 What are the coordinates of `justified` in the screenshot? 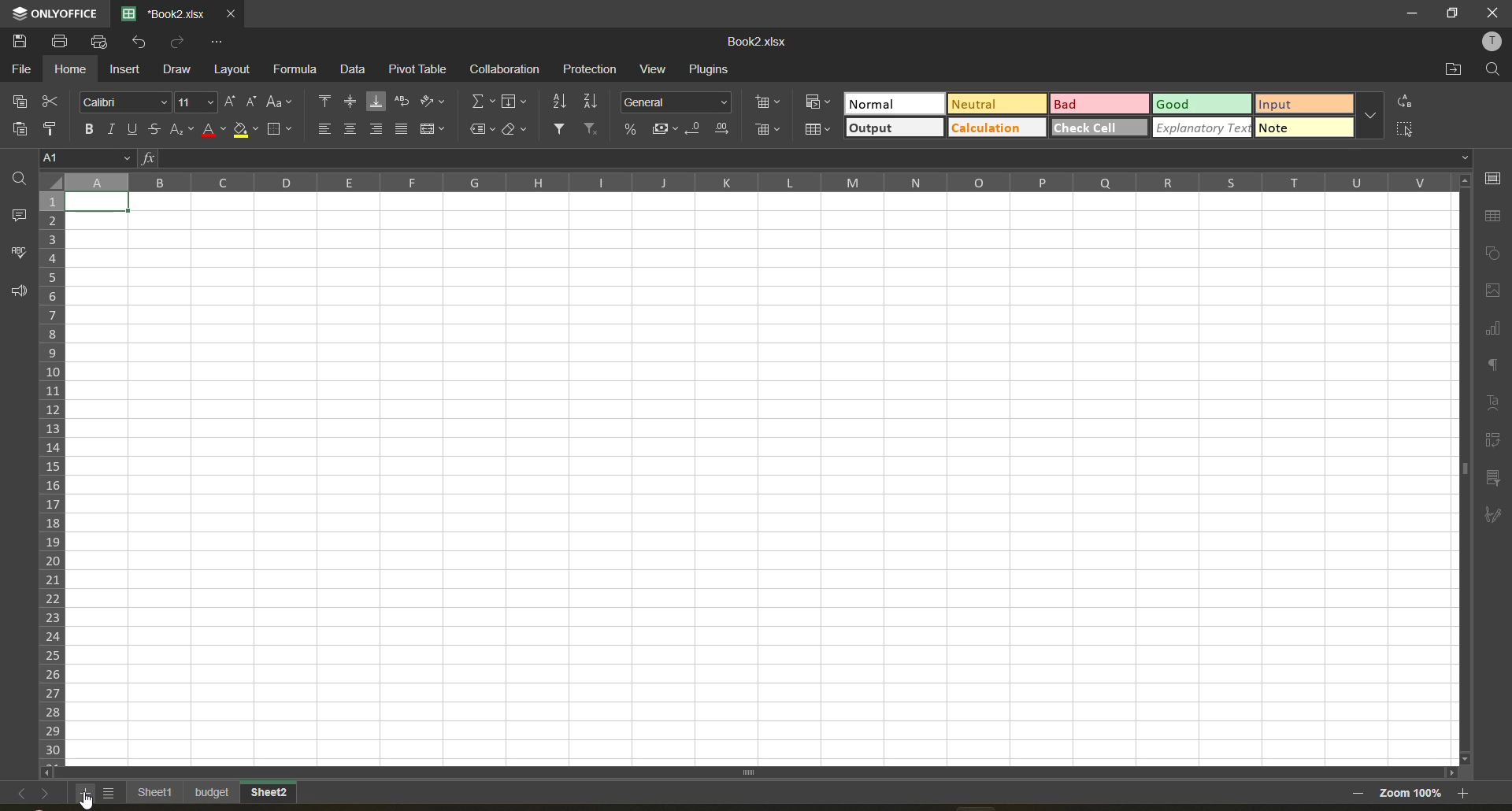 It's located at (402, 131).